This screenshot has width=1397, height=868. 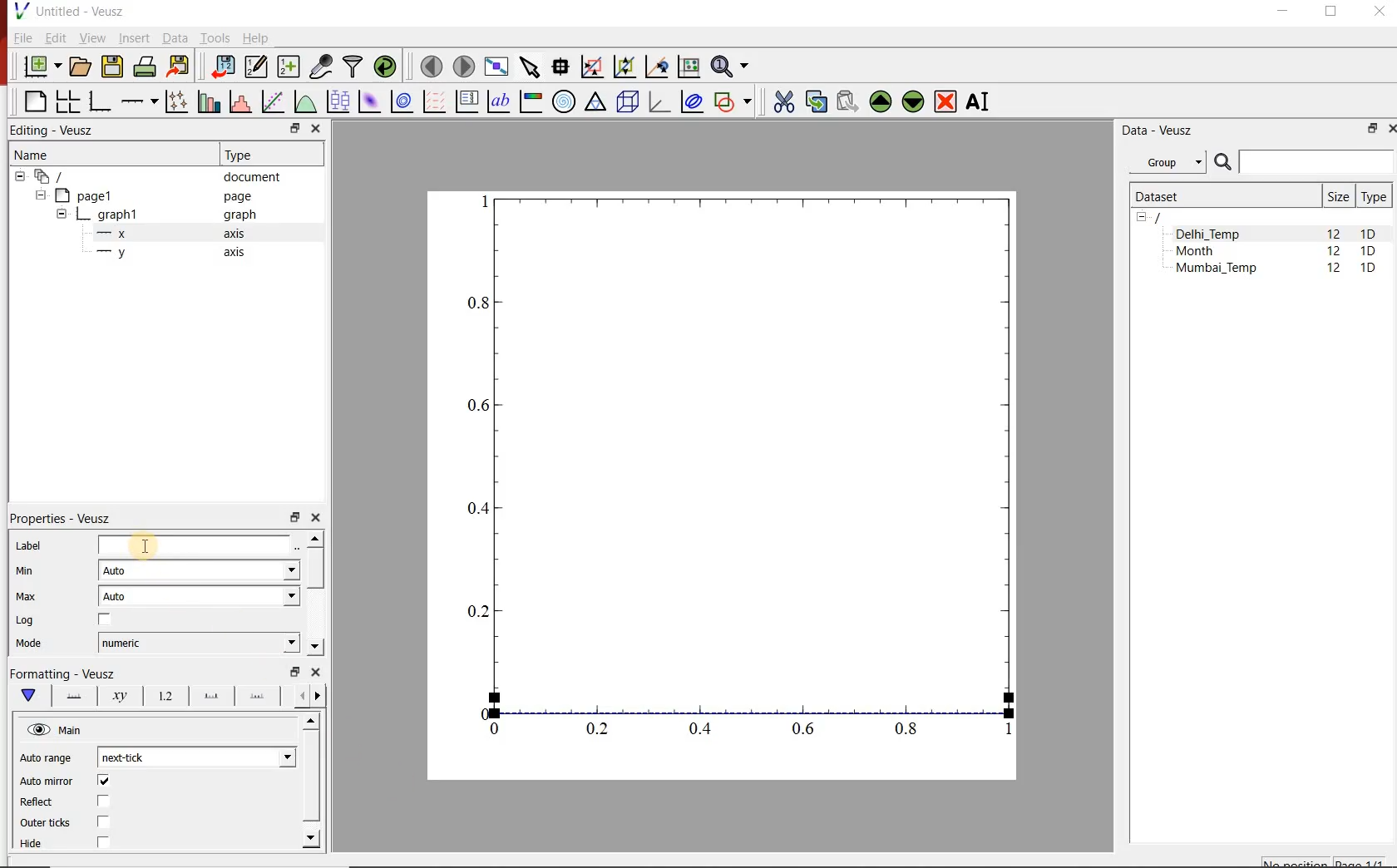 I want to click on major ticks, so click(x=209, y=696).